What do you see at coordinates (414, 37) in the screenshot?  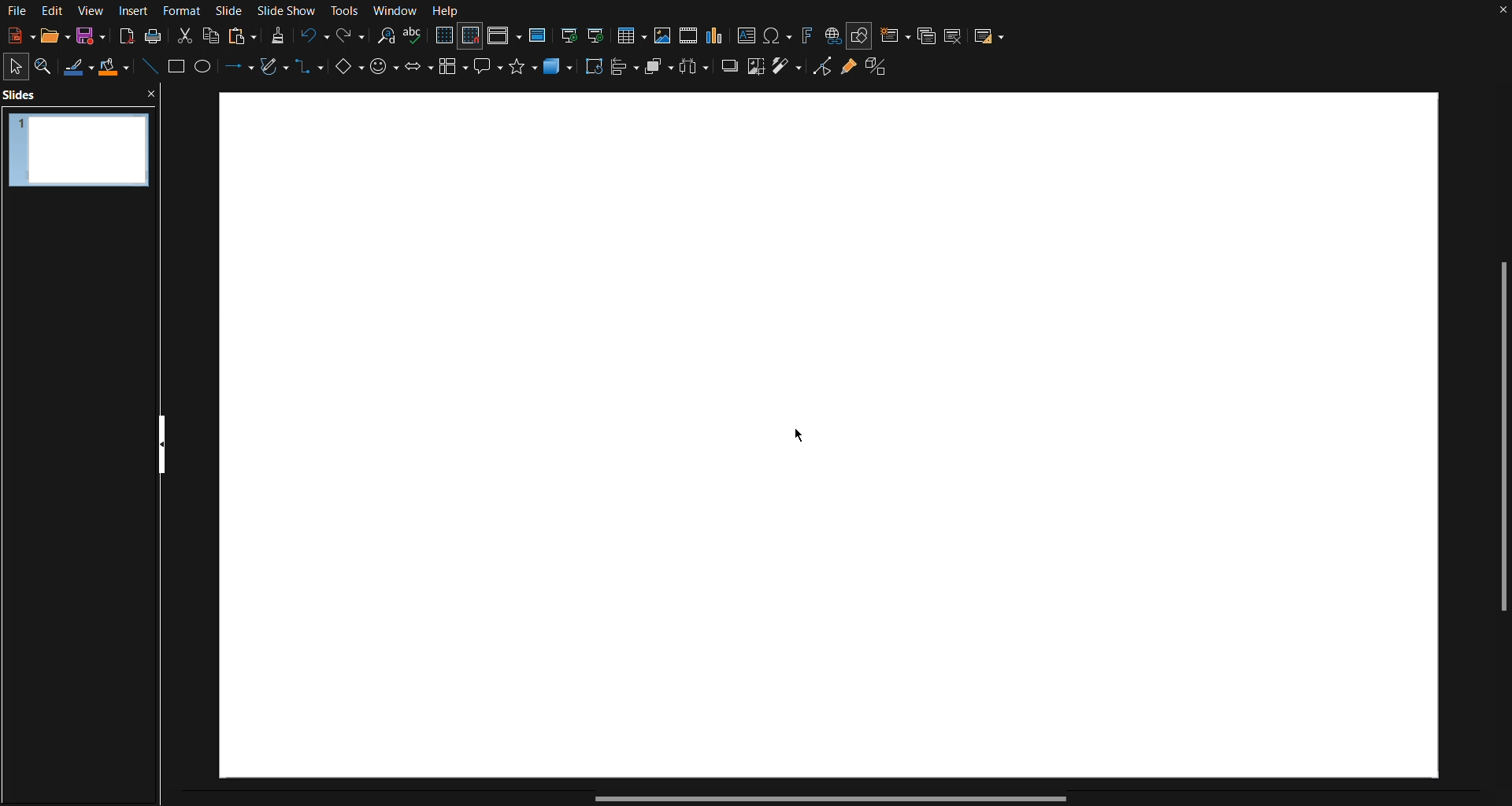 I see `Spellcheck` at bounding box center [414, 37].